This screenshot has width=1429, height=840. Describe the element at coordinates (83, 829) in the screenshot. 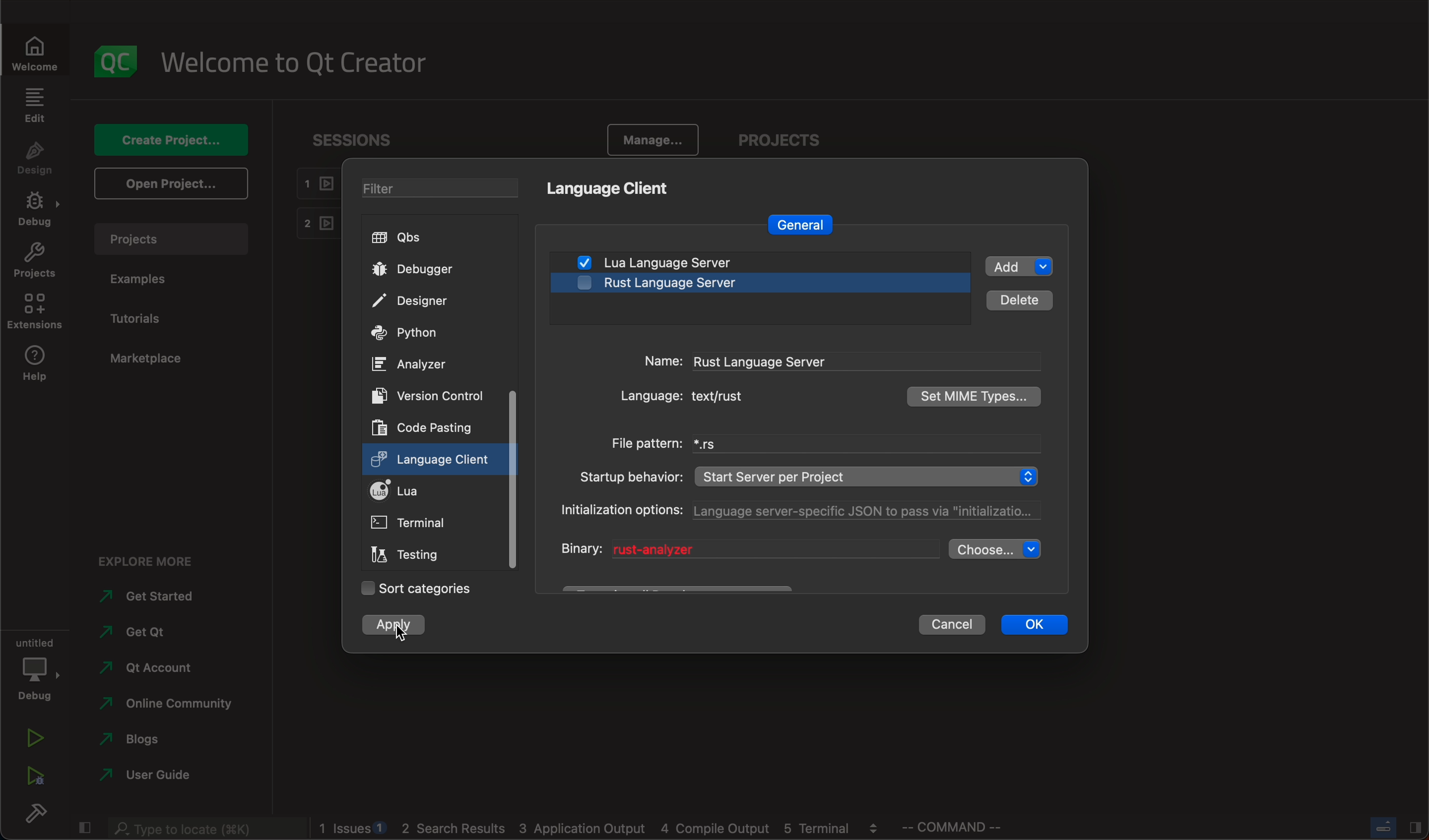

I see `close slide bar` at that location.